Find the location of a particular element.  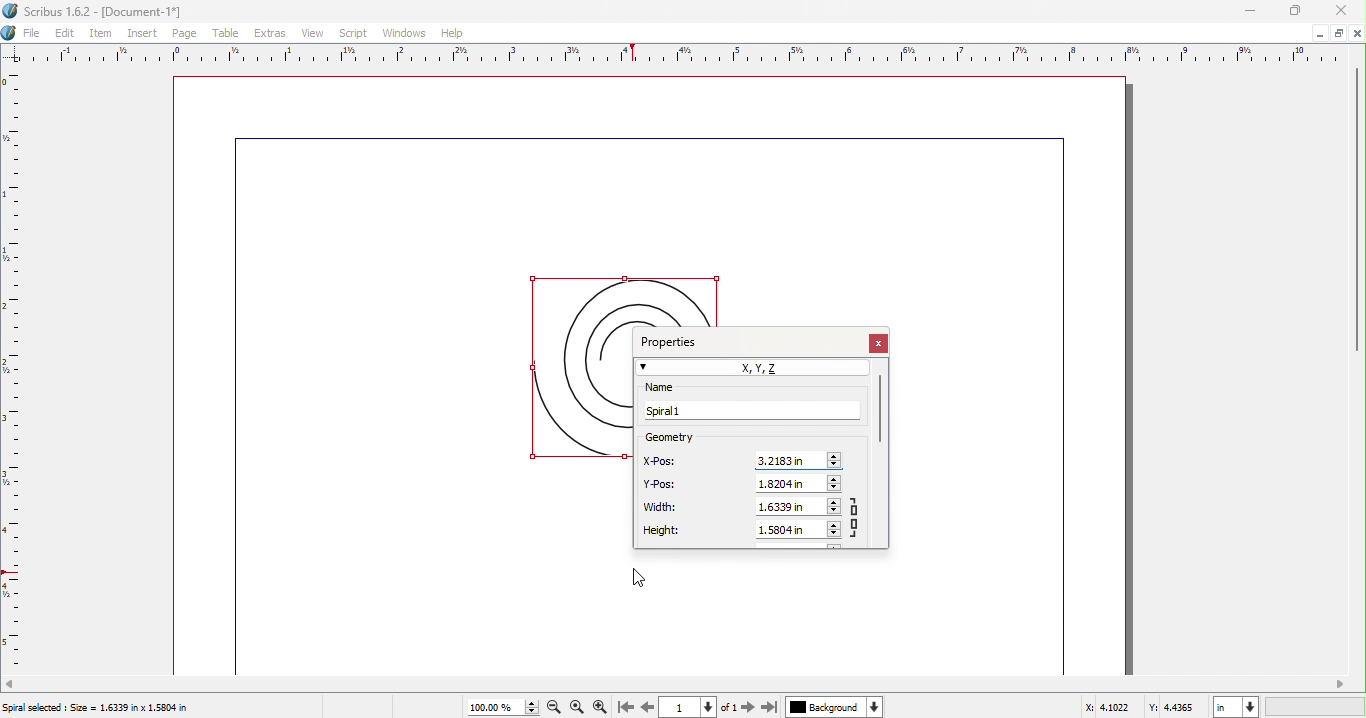

Width of current selection is located at coordinates (788, 508).